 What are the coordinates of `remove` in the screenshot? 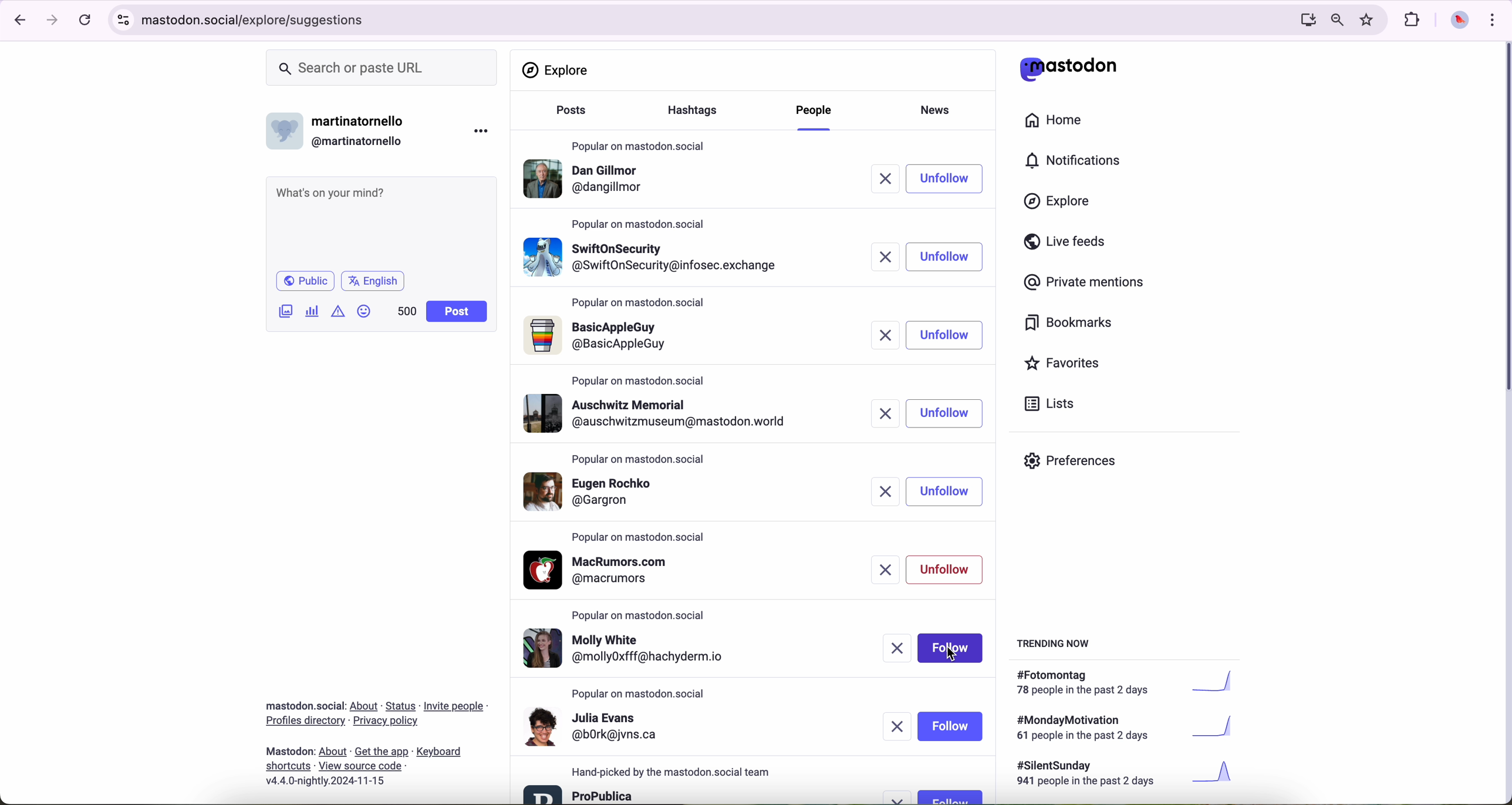 It's located at (879, 570).